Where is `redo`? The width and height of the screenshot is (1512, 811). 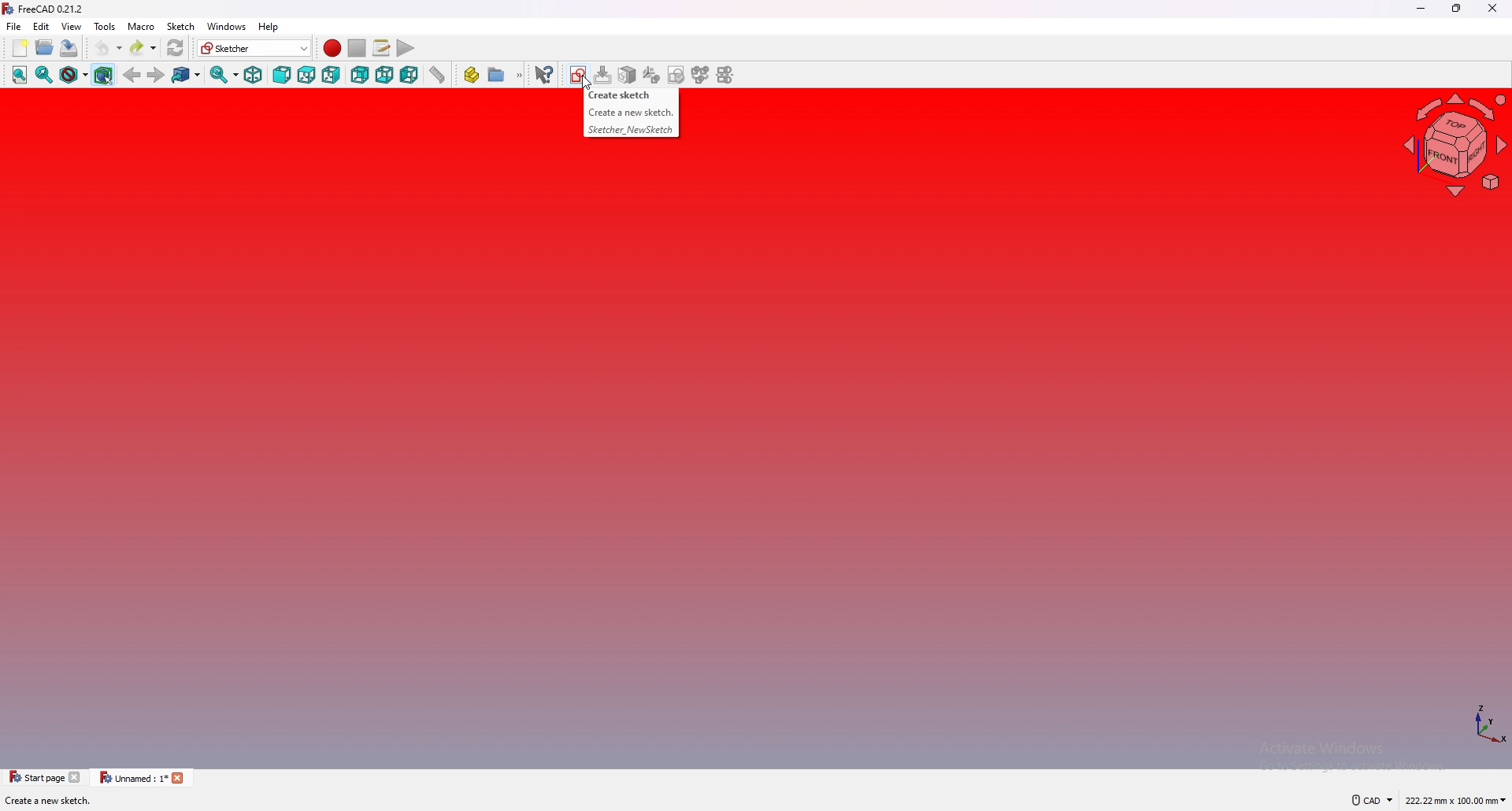
redo is located at coordinates (144, 47).